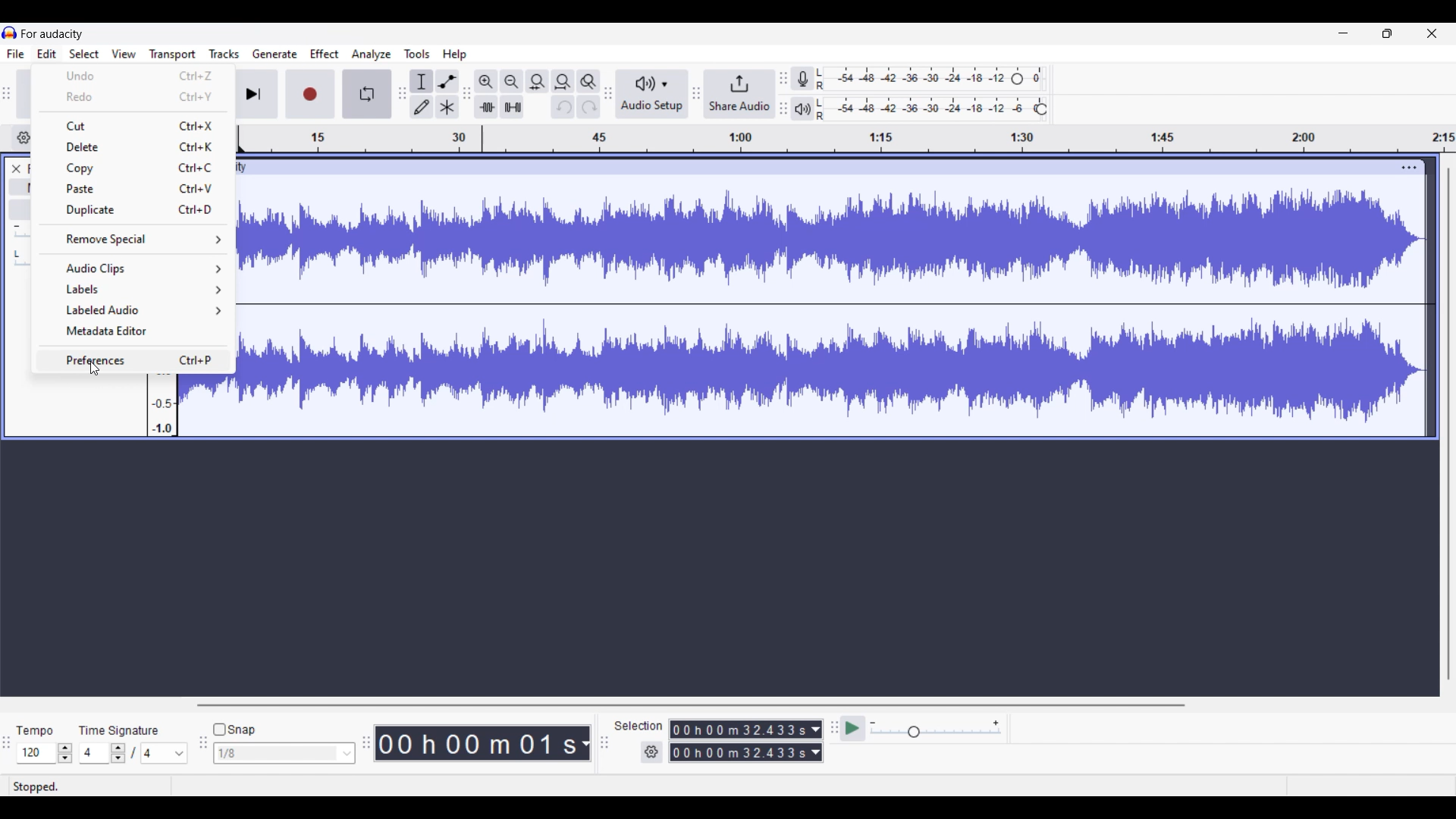 The image size is (1456, 819). Describe the element at coordinates (134, 268) in the screenshot. I see `Audio clip options` at that location.